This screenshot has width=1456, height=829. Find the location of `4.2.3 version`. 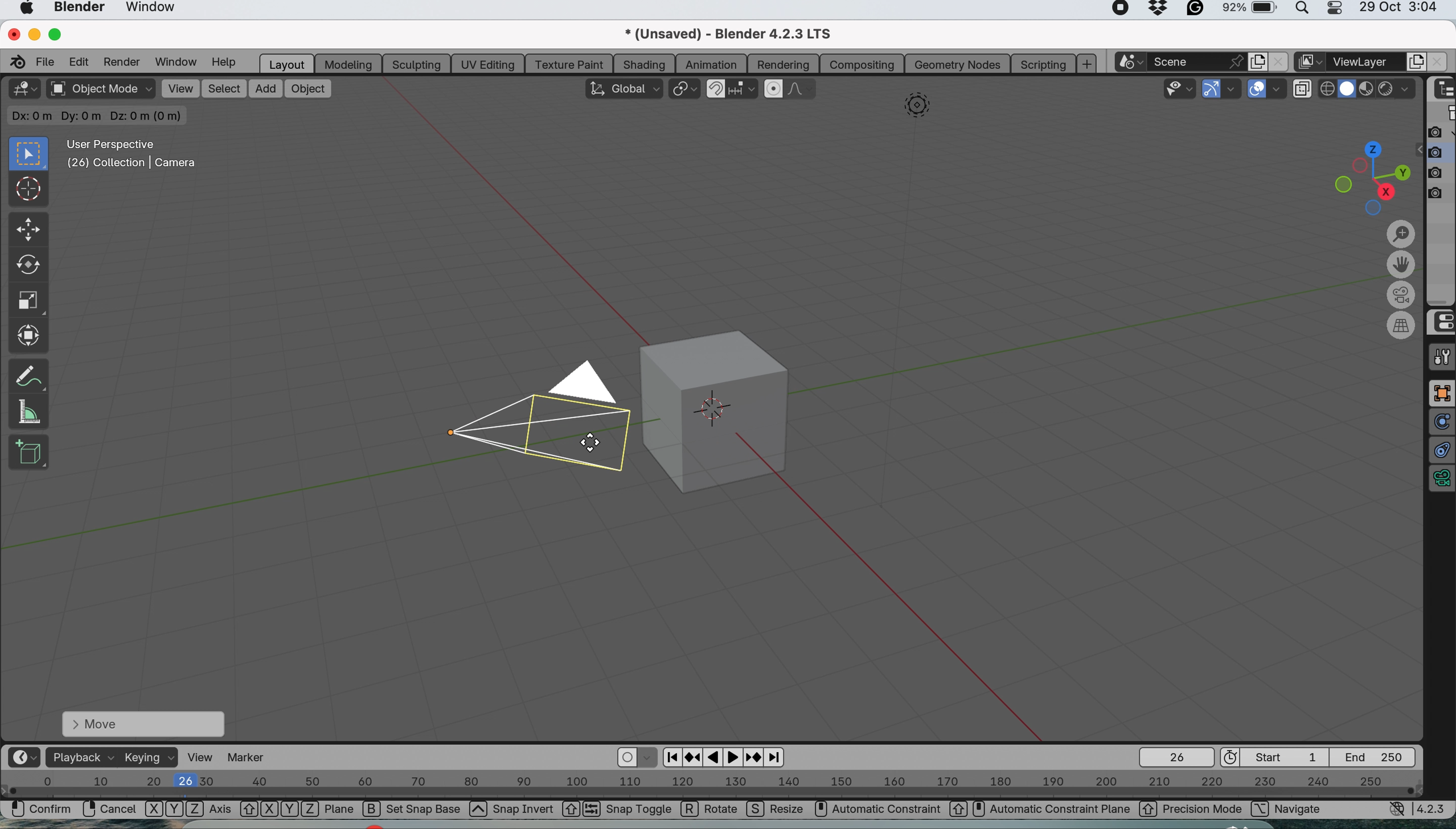

4.2.3 version is located at coordinates (1434, 809).